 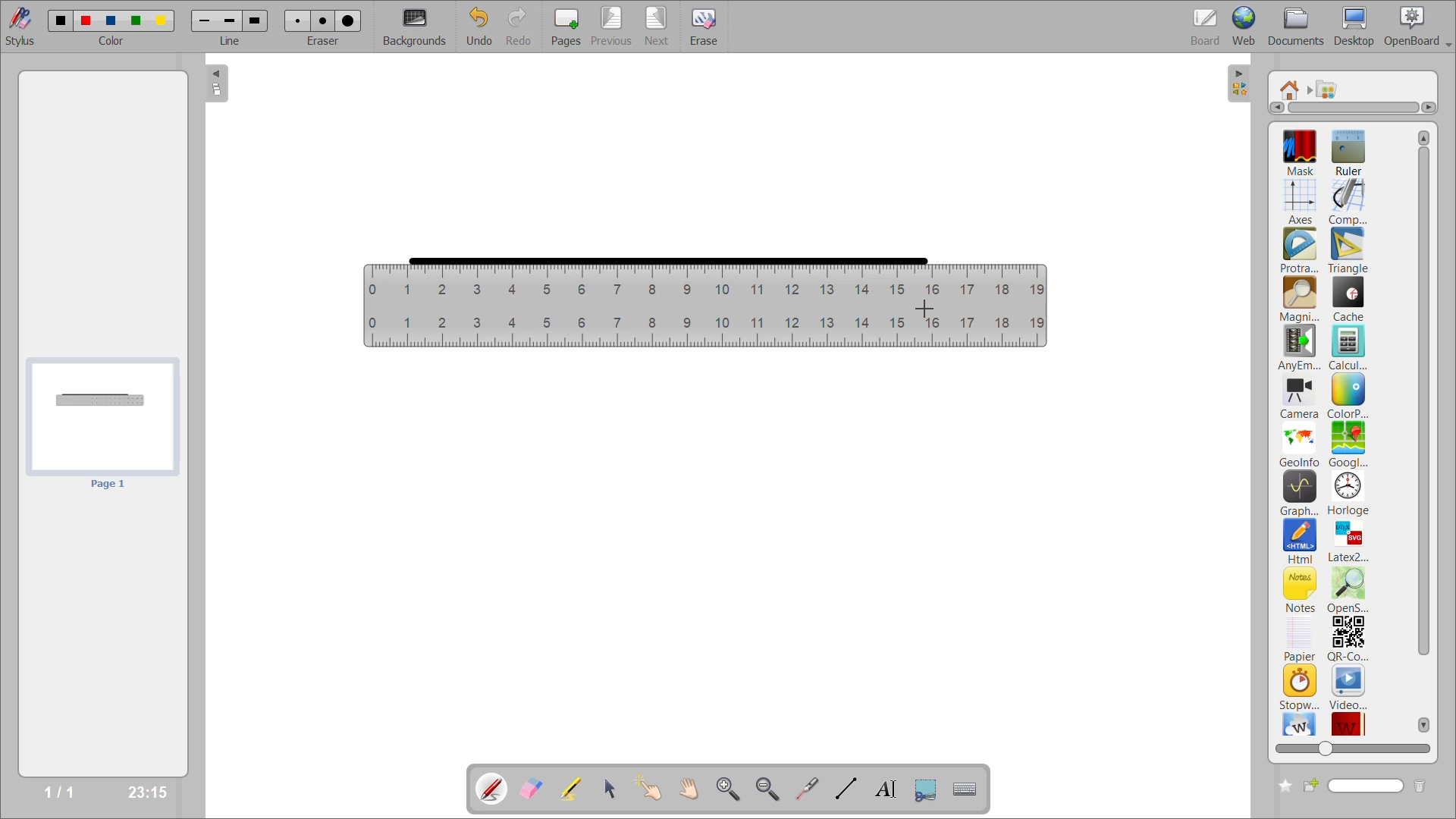 What do you see at coordinates (1349, 493) in the screenshot?
I see `horloge` at bounding box center [1349, 493].